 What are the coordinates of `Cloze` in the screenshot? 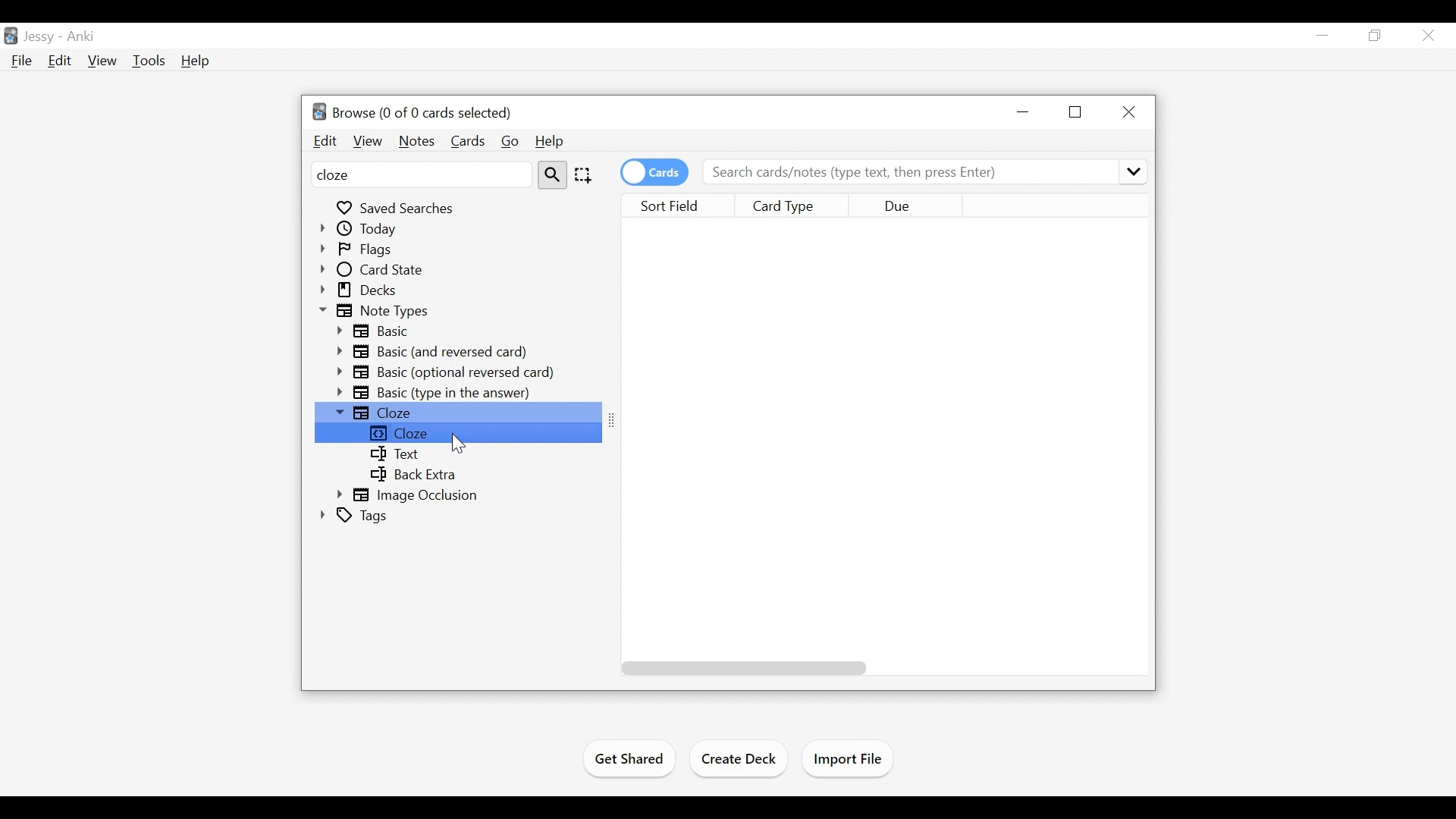 It's located at (457, 433).